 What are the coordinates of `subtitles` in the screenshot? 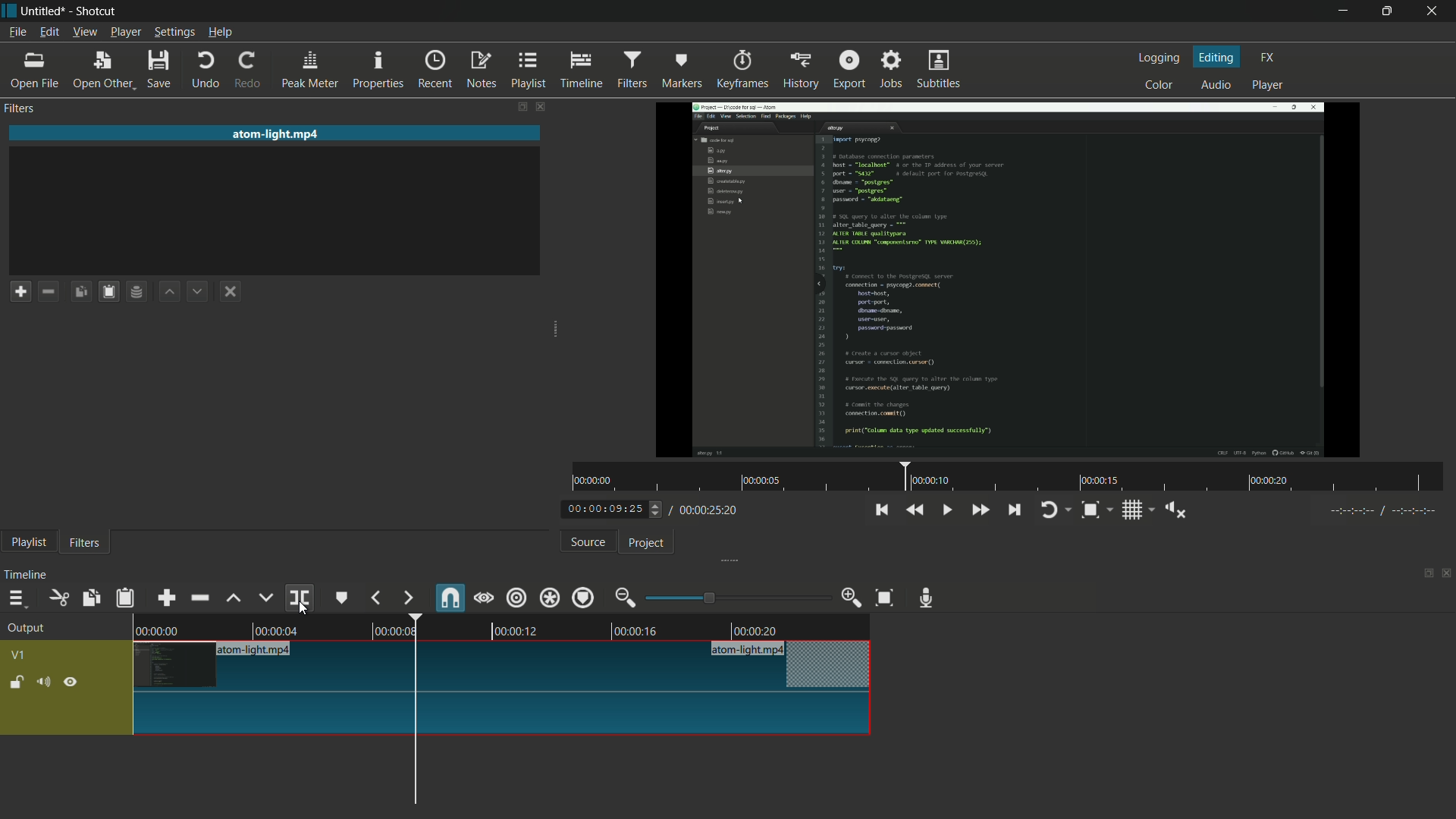 It's located at (941, 71).